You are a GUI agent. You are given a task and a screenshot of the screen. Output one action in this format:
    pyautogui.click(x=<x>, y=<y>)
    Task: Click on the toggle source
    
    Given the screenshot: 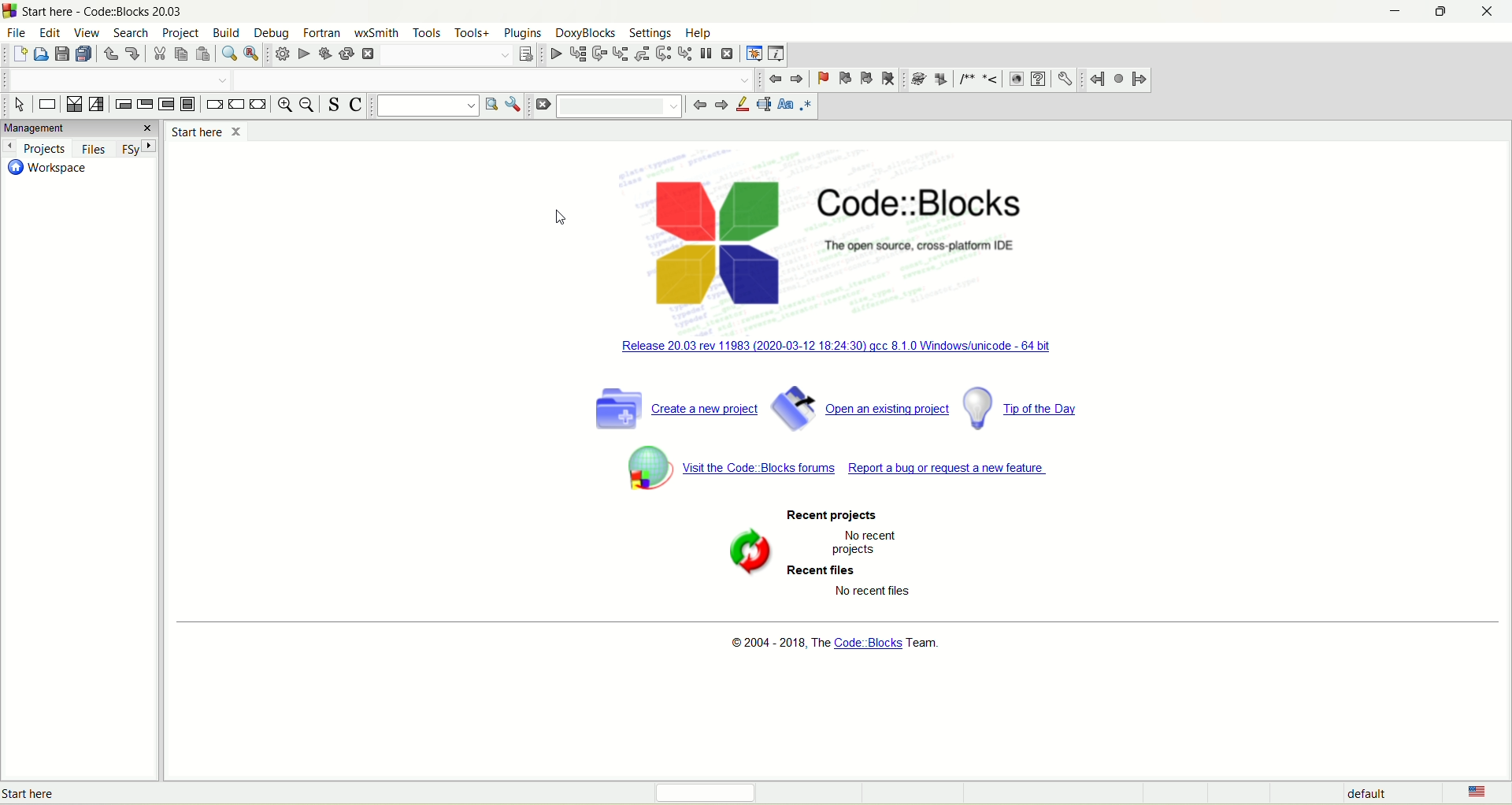 What is the action you would take?
    pyautogui.click(x=332, y=103)
    